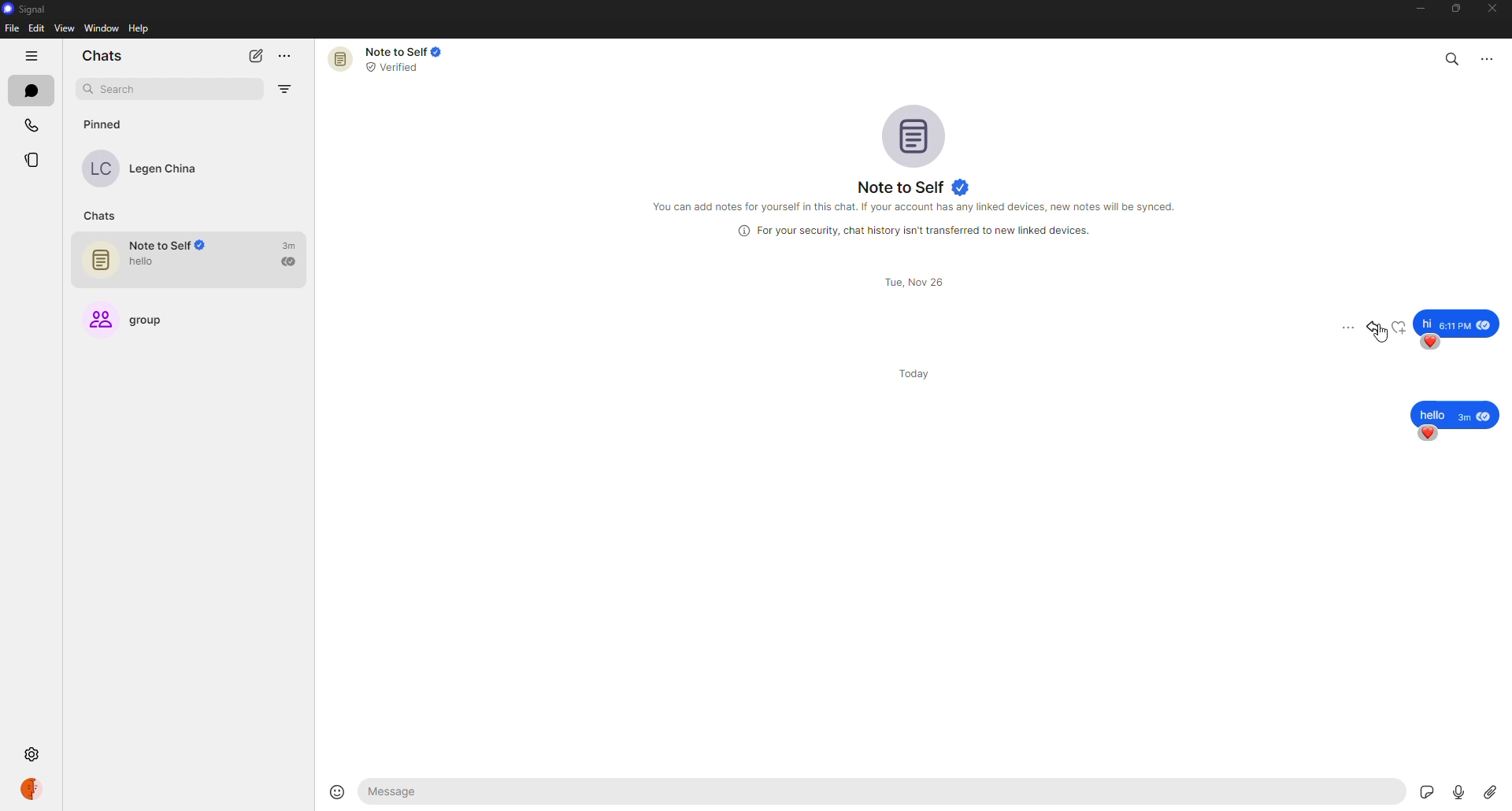 The height and width of the screenshot is (811, 1512). Describe the element at coordinates (196, 261) in the screenshot. I see `note to self` at that location.